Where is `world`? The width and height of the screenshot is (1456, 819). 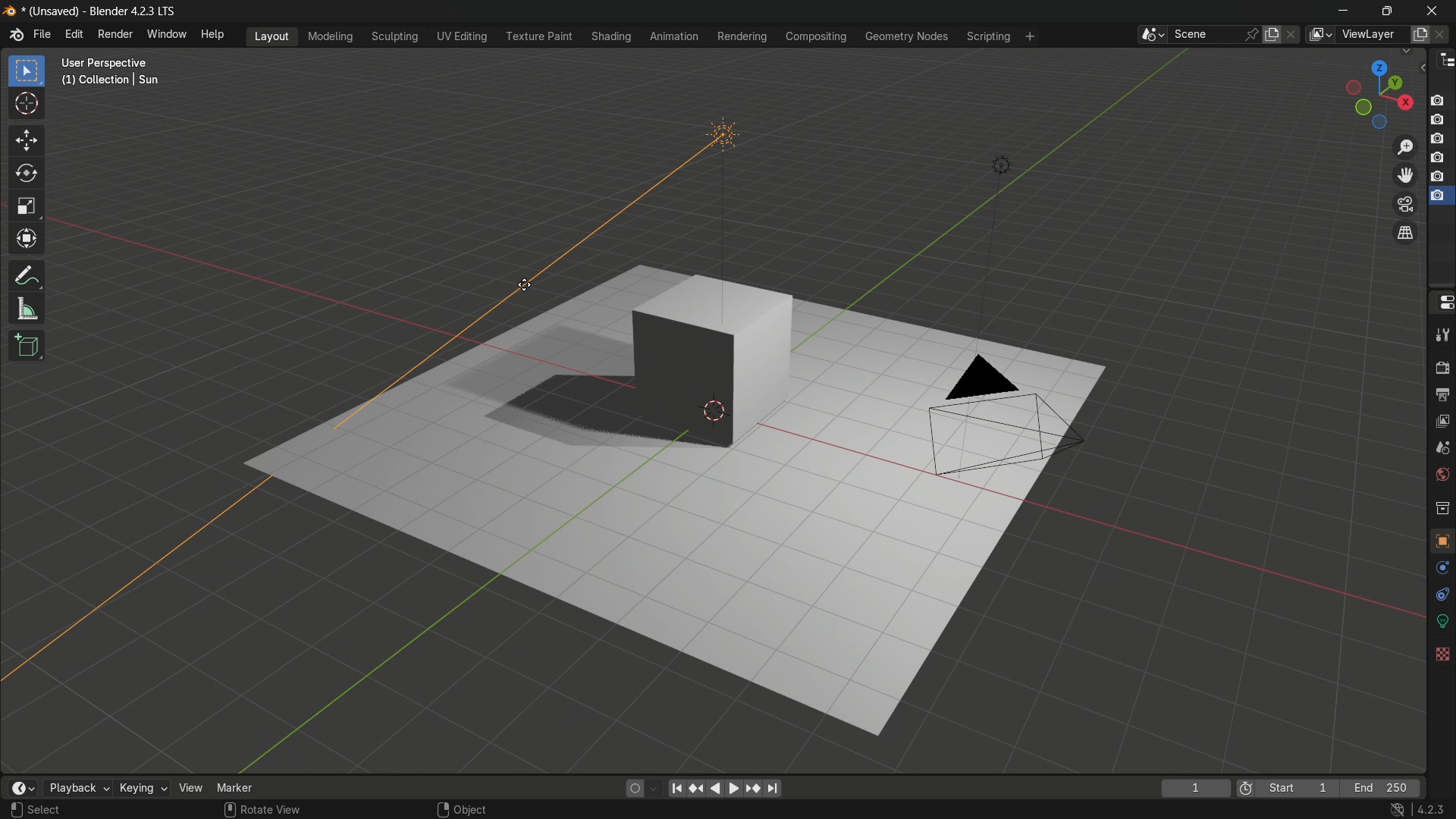 world is located at coordinates (1443, 475).